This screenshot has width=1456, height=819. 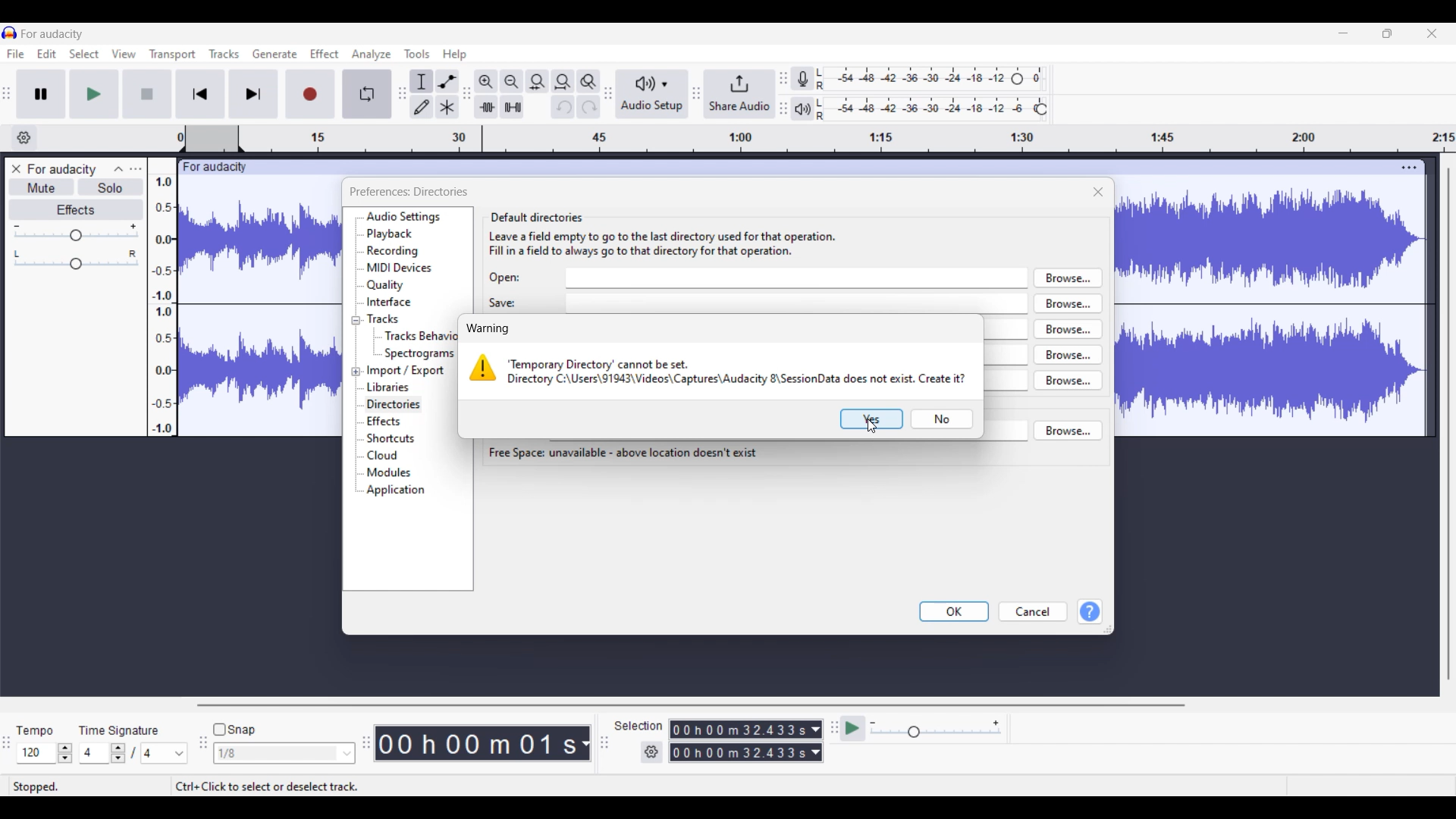 What do you see at coordinates (356, 346) in the screenshot?
I see `Collapse/Expand` at bounding box center [356, 346].